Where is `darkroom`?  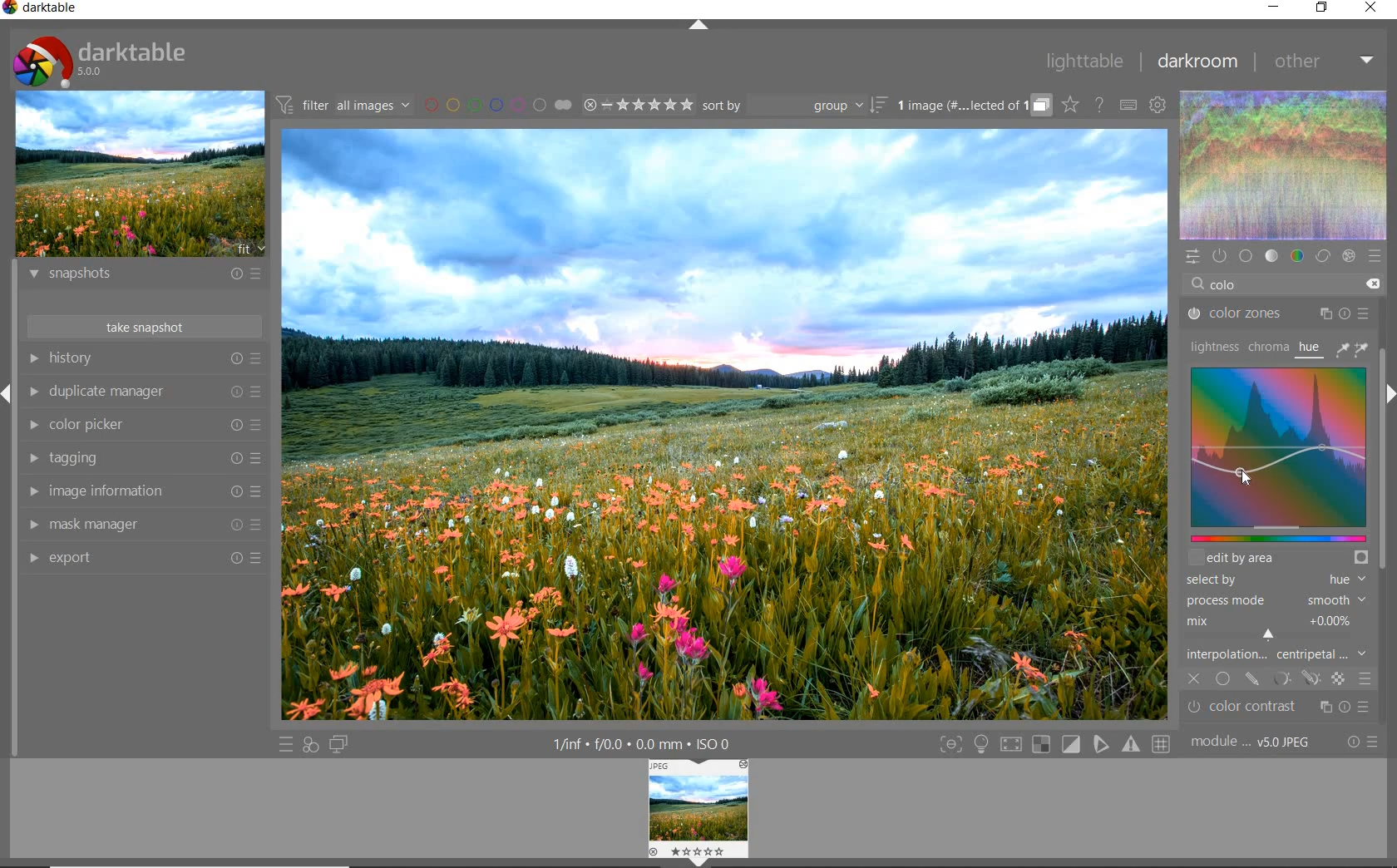
darkroom is located at coordinates (1199, 62).